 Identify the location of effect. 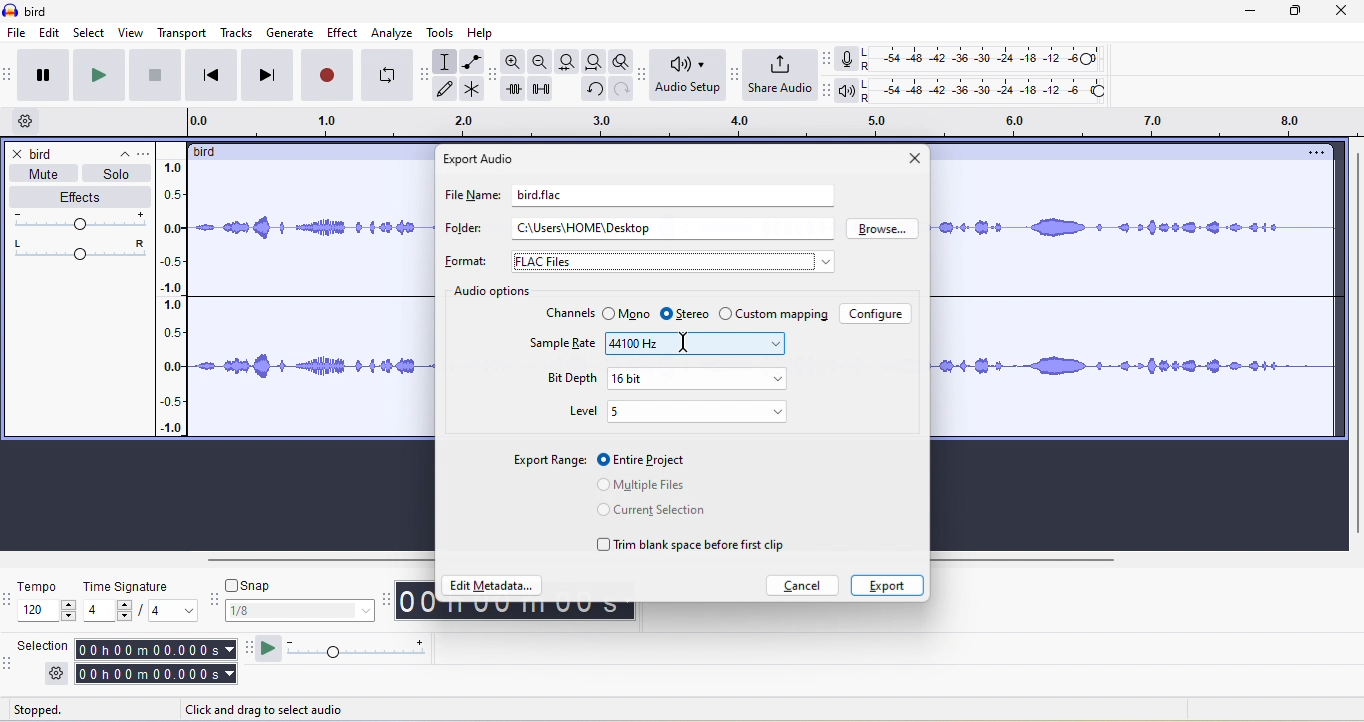
(343, 32).